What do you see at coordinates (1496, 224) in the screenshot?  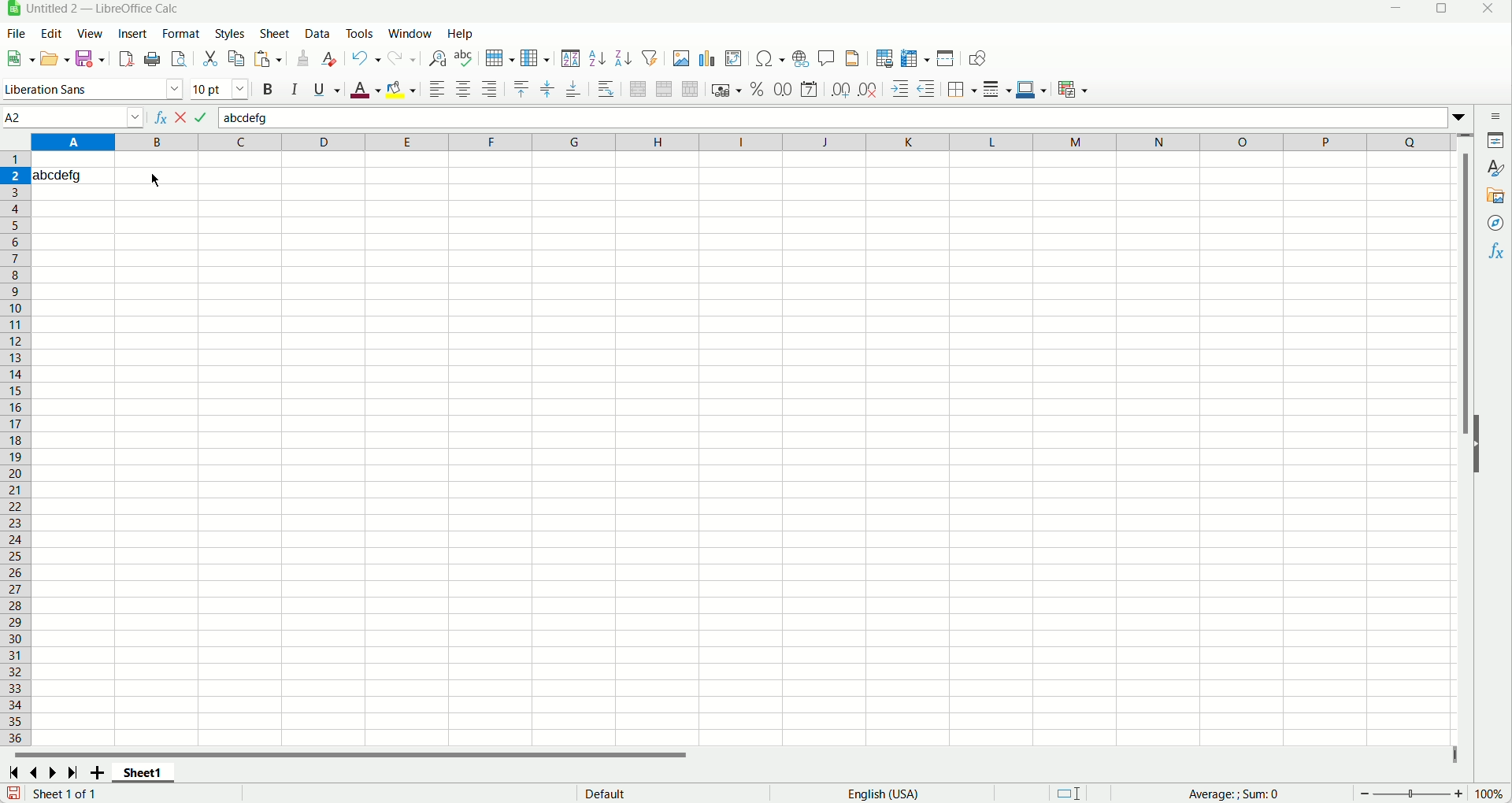 I see `navigator` at bounding box center [1496, 224].